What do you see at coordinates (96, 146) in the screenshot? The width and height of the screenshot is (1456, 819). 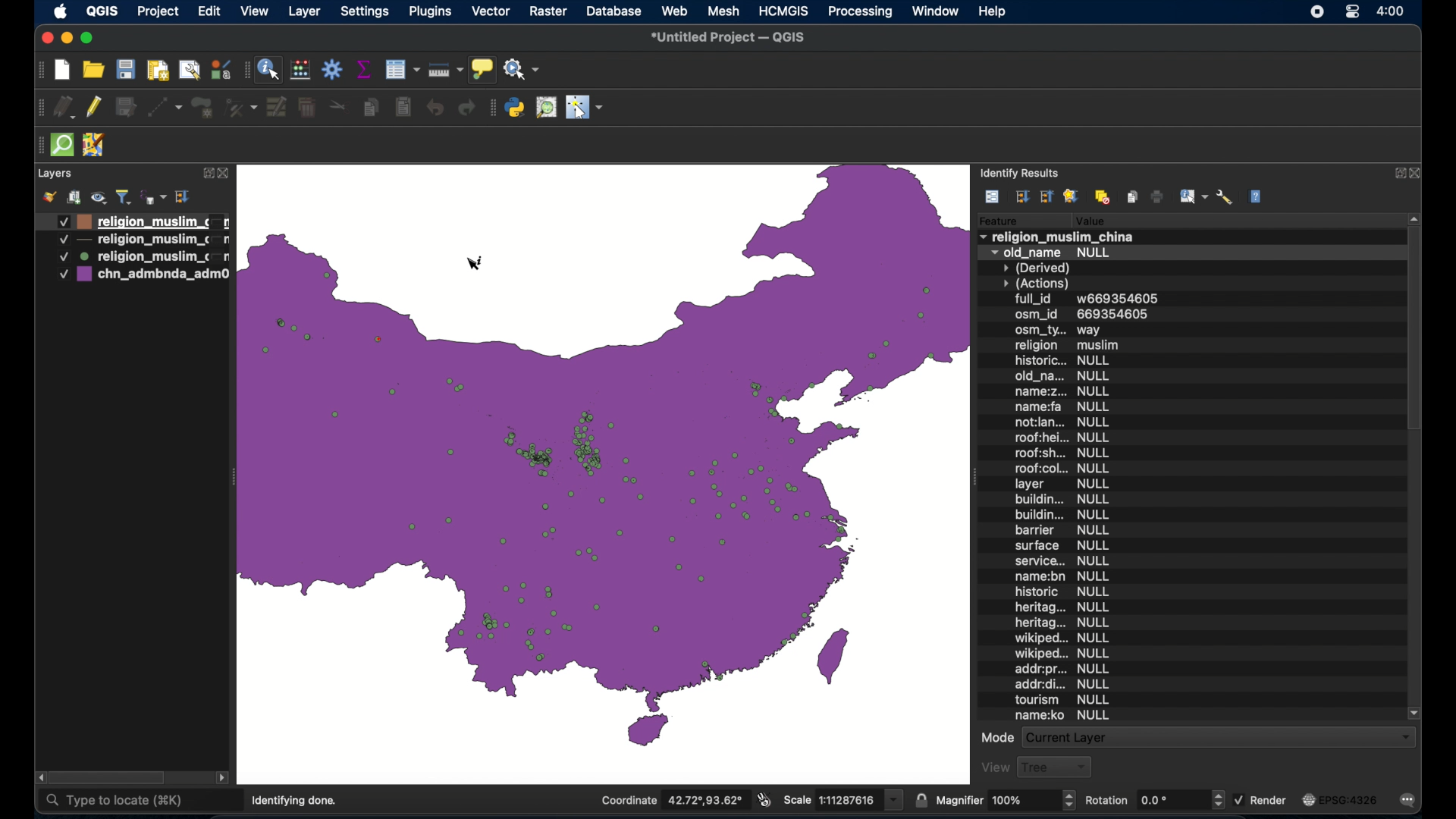 I see `jsom remote` at bounding box center [96, 146].